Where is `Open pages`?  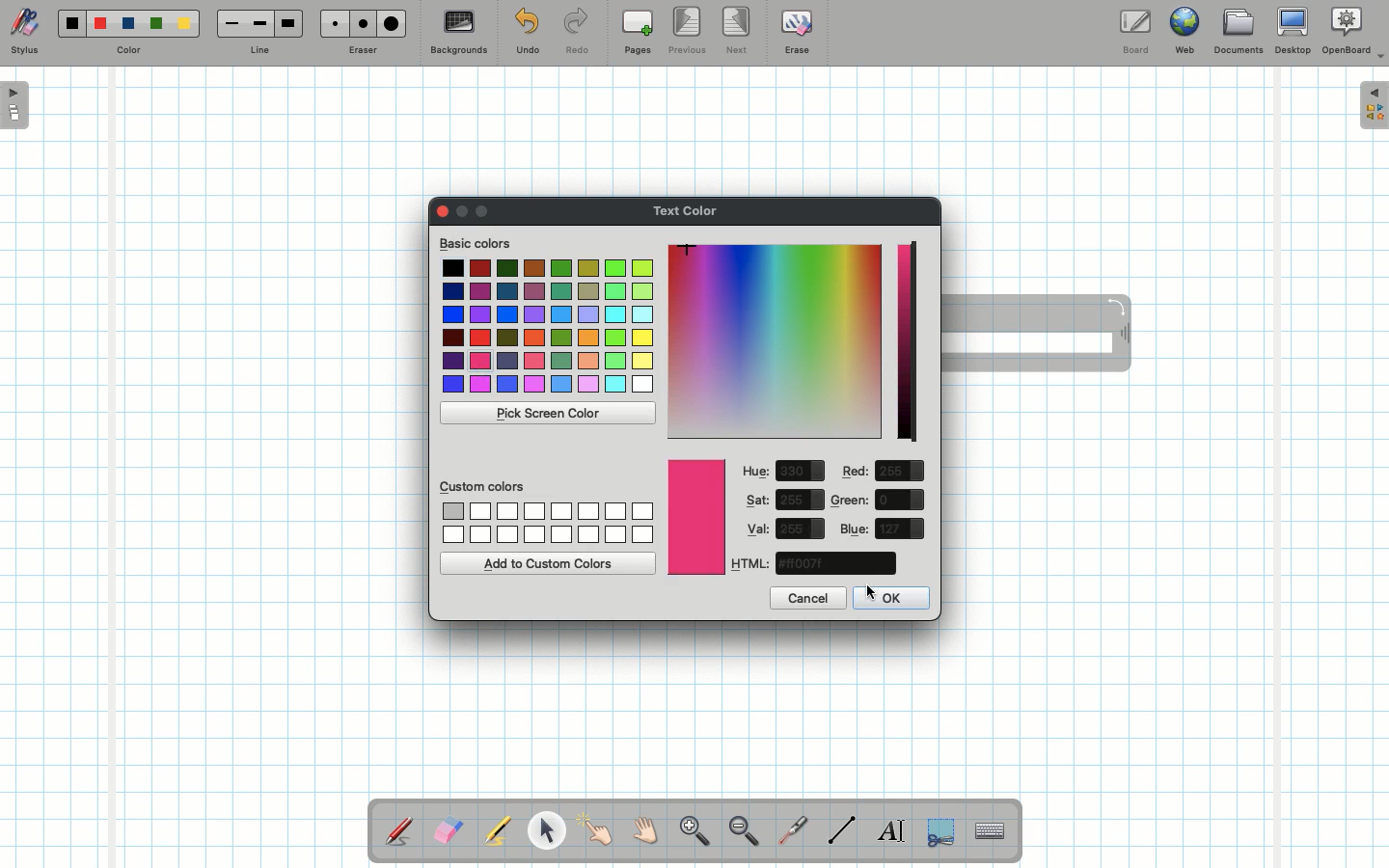
Open pages is located at coordinates (16, 104).